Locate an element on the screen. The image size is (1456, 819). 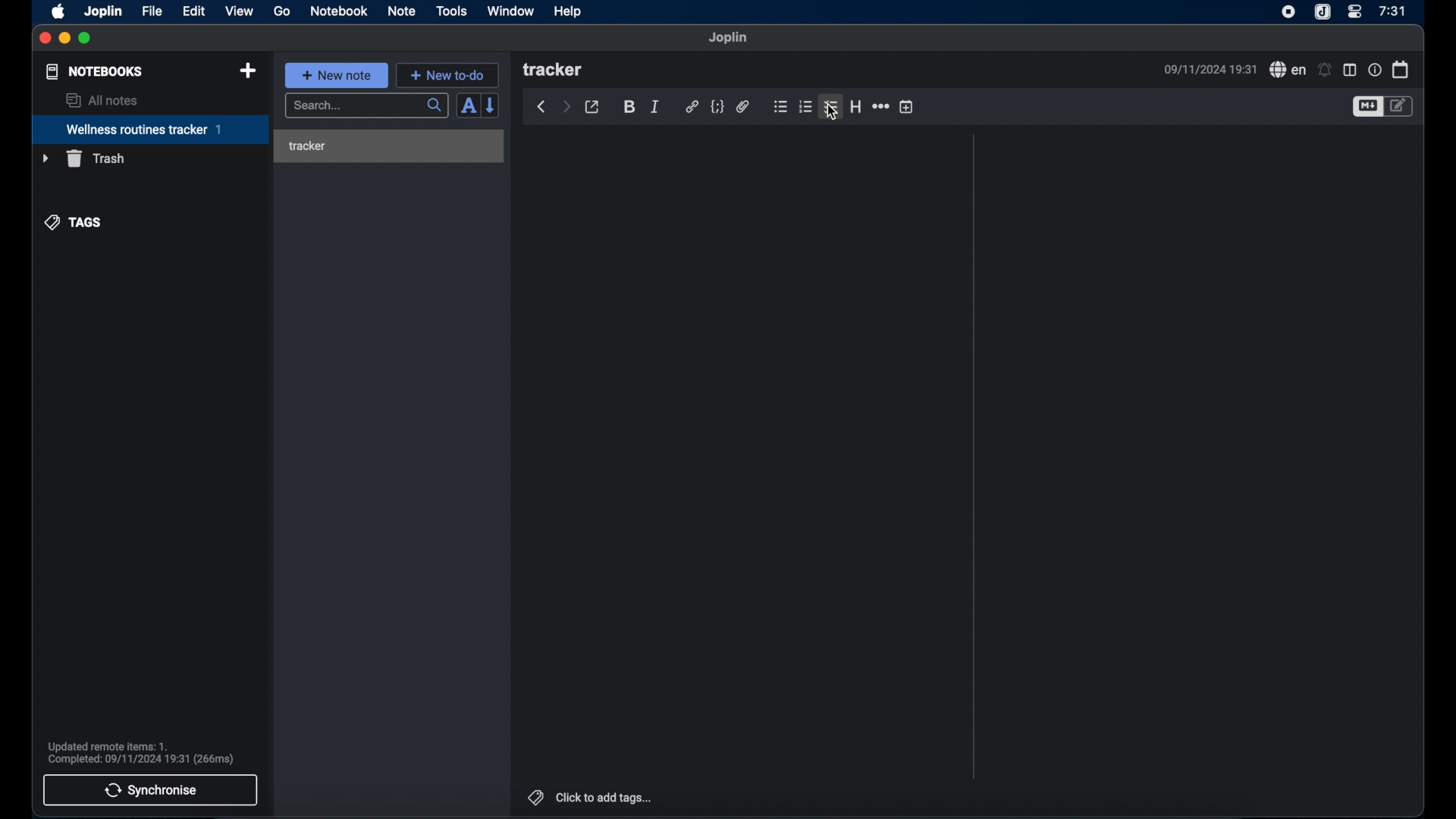
help is located at coordinates (569, 11).